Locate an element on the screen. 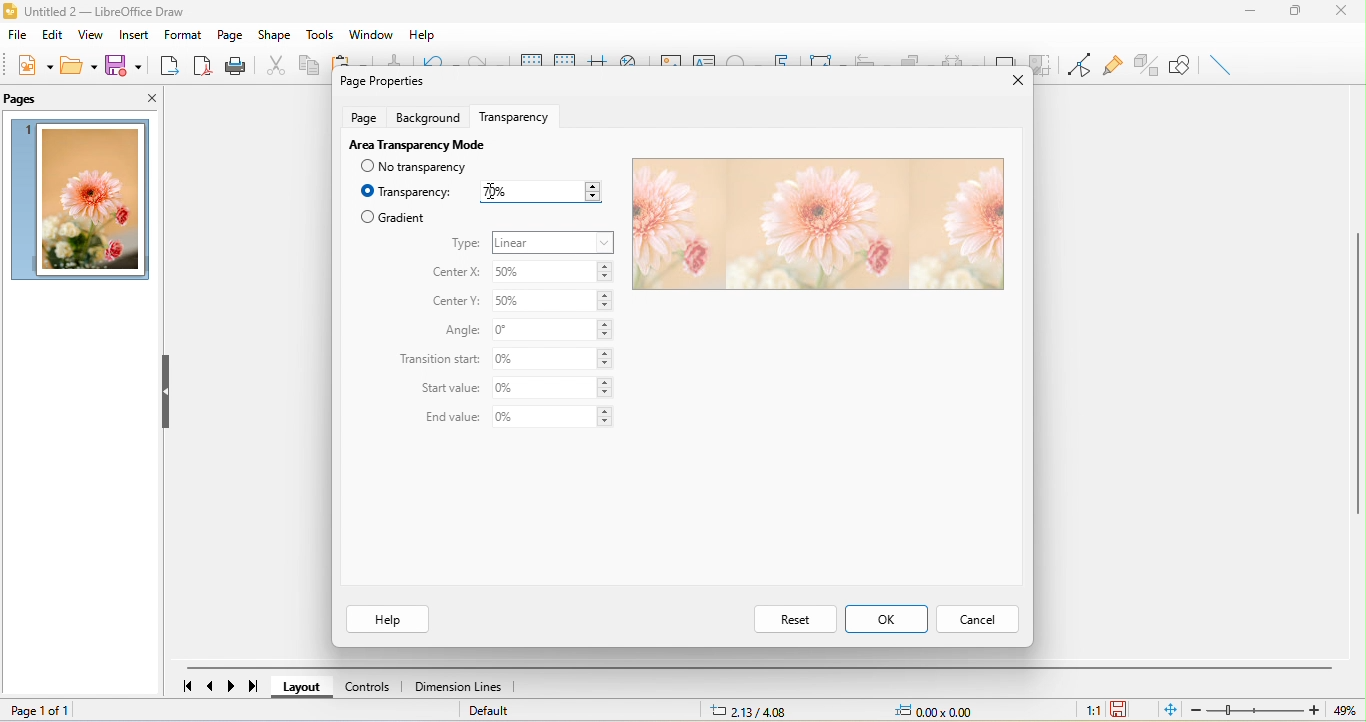 The image size is (1366, 722). pages is located at coordinates (25, 100).